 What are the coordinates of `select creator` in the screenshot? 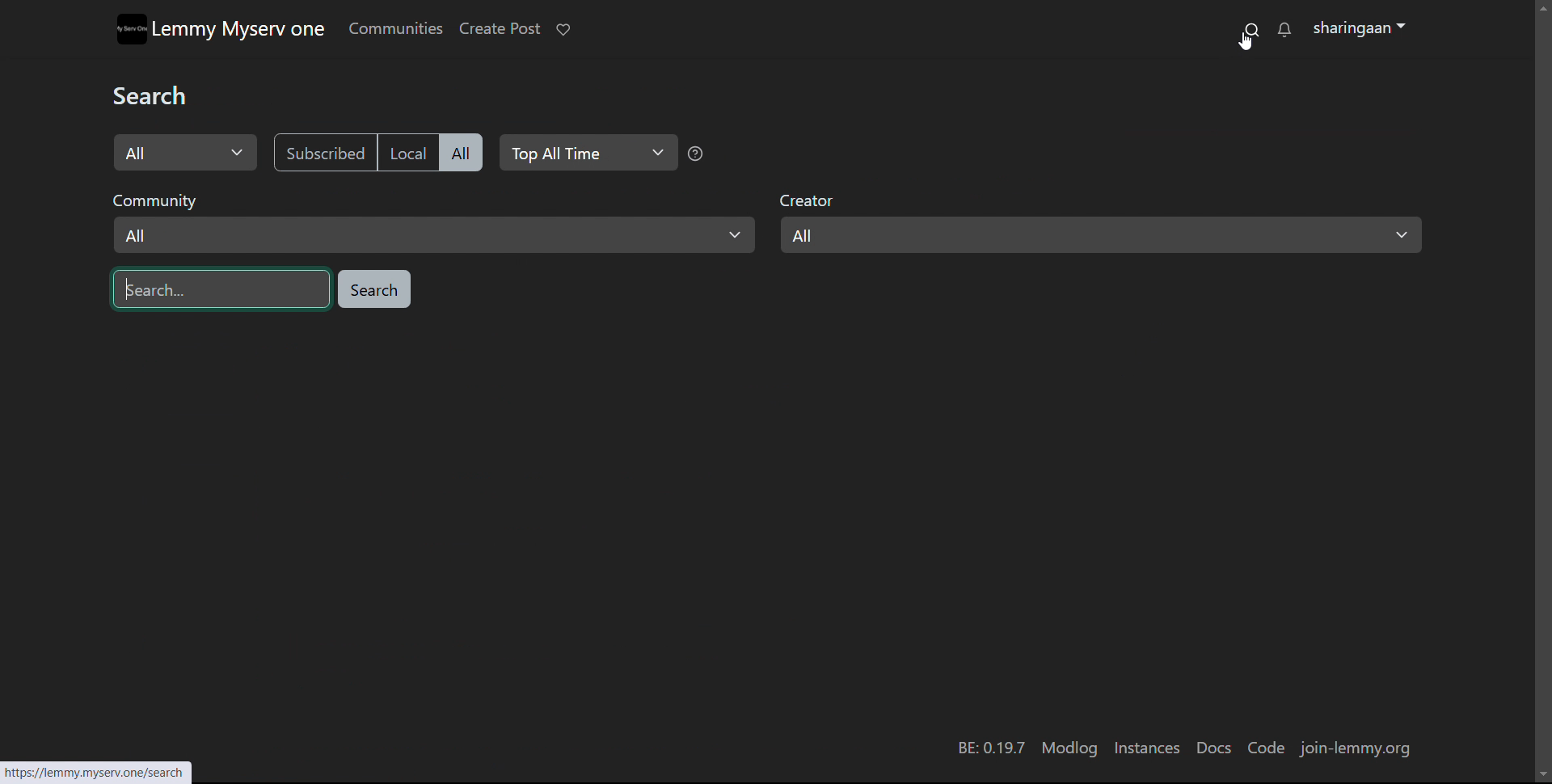 It's located at (1100, 224).